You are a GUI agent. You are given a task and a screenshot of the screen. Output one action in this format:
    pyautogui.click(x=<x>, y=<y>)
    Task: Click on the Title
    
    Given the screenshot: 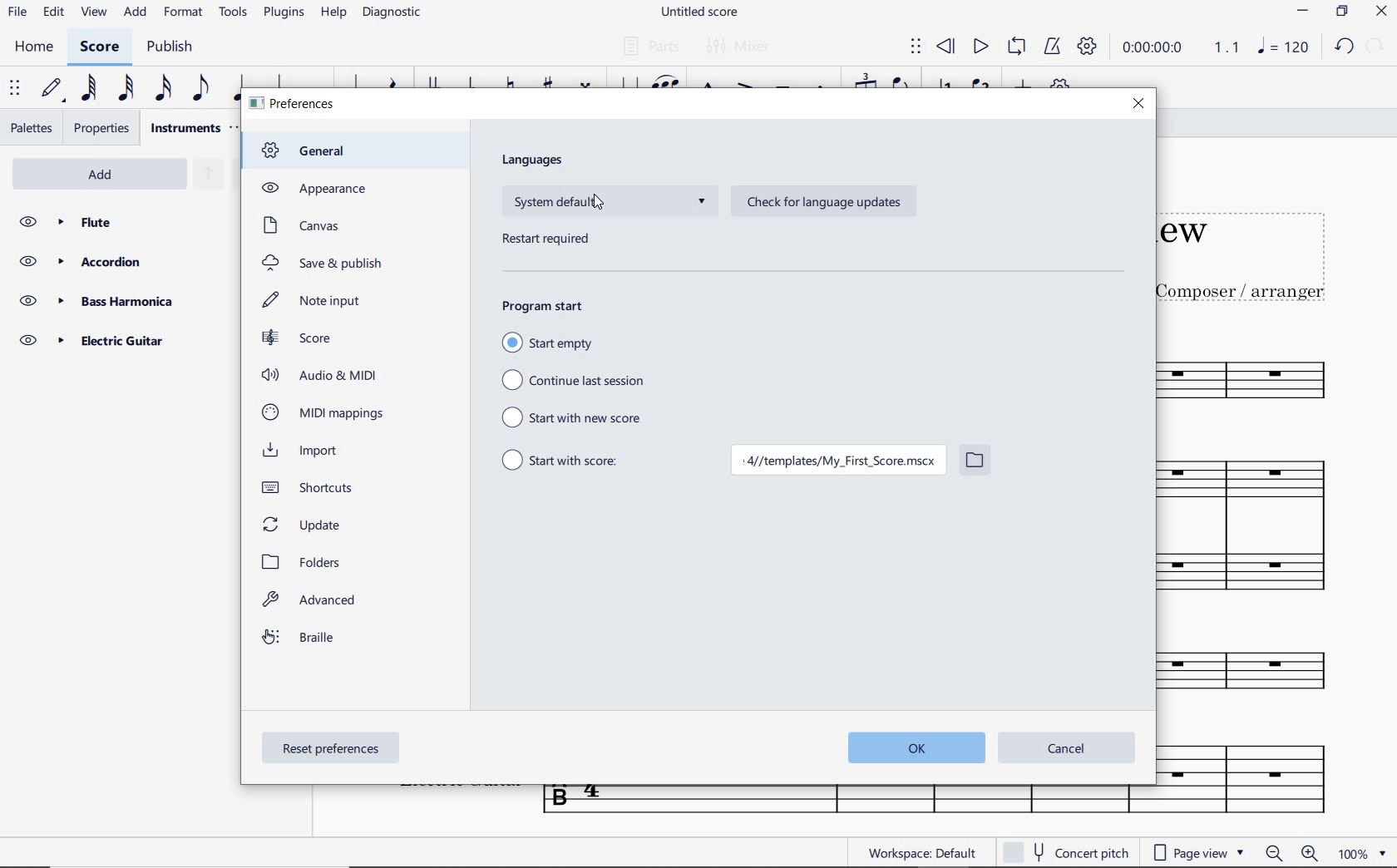 What is the action you would take?
    pyautogui.click(x=1261, y=248)
    